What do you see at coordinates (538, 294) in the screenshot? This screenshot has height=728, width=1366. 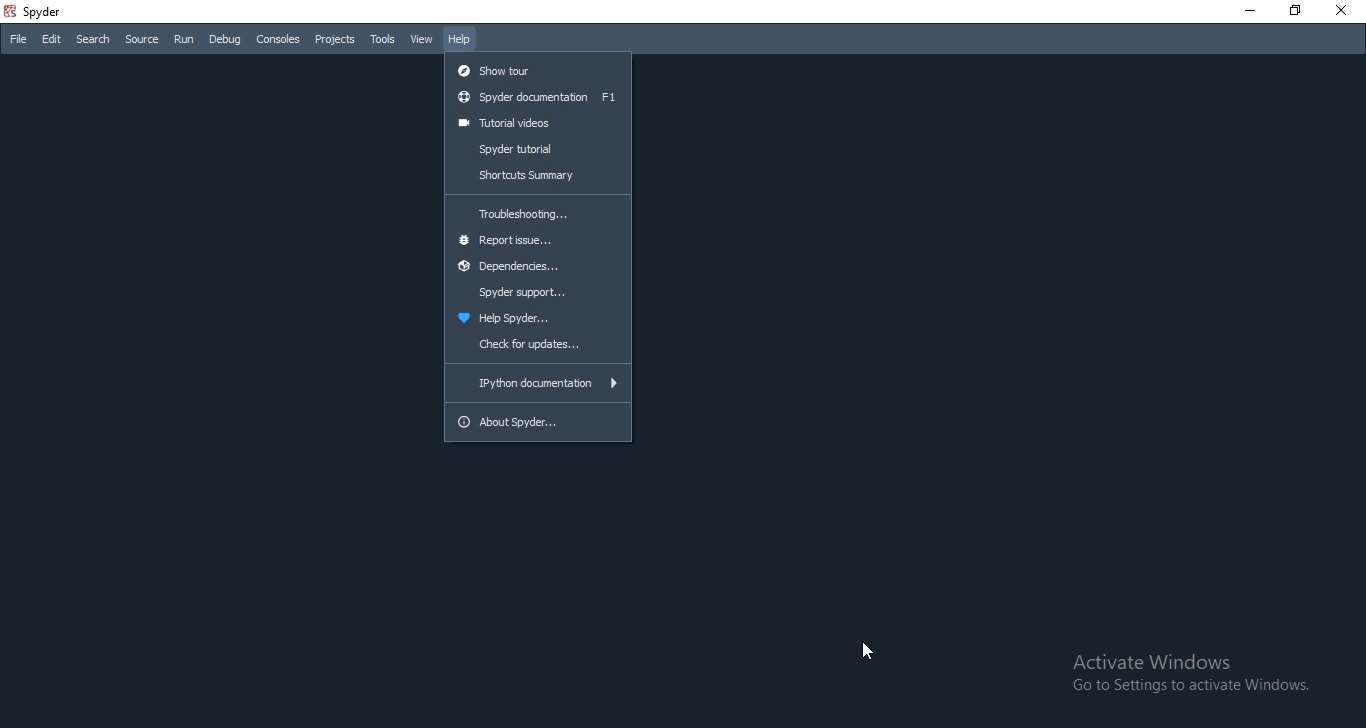 I see `Spyder support` at bounding box center [538, 294].